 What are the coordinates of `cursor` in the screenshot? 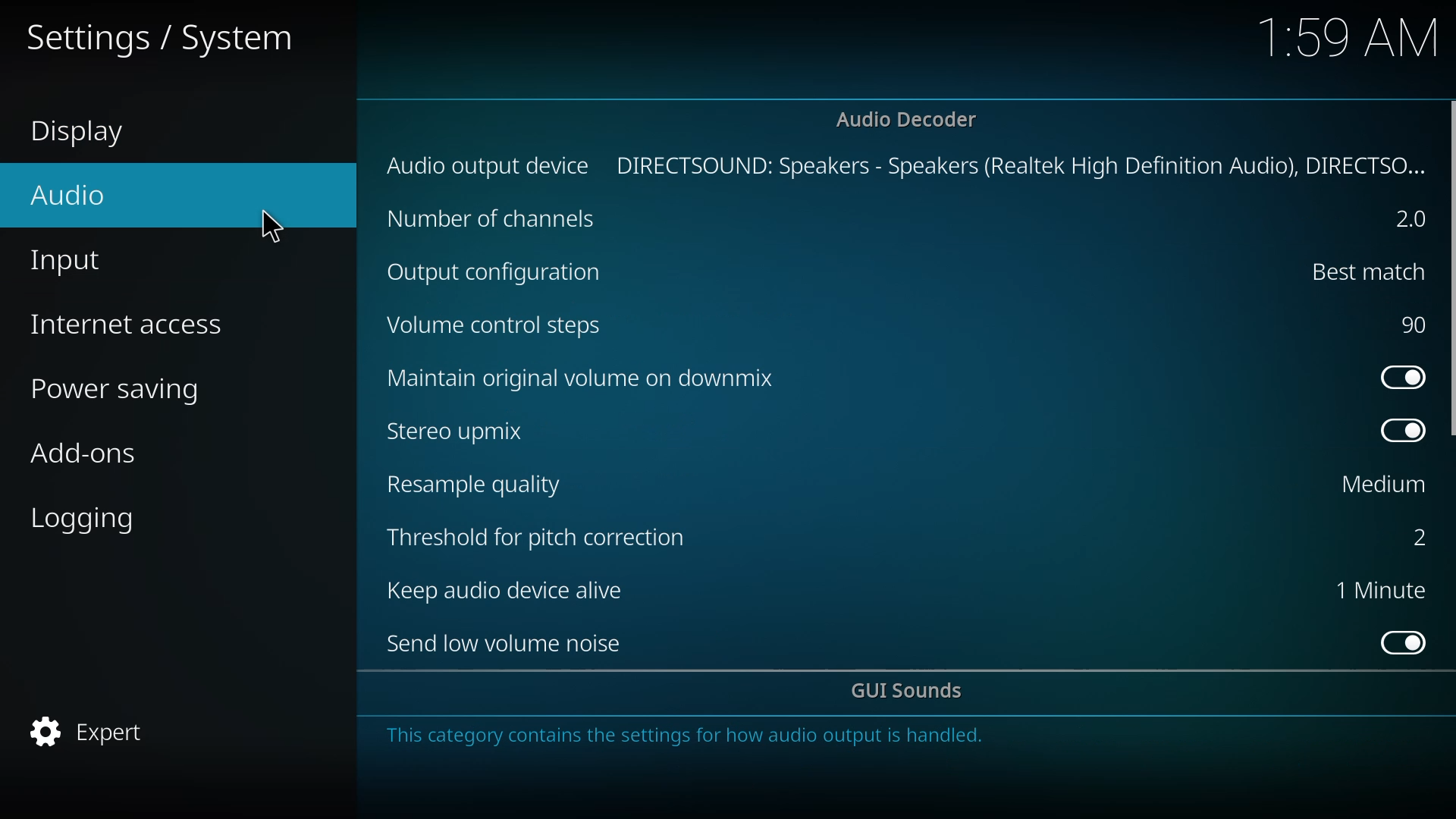 It's located at (270, 227).